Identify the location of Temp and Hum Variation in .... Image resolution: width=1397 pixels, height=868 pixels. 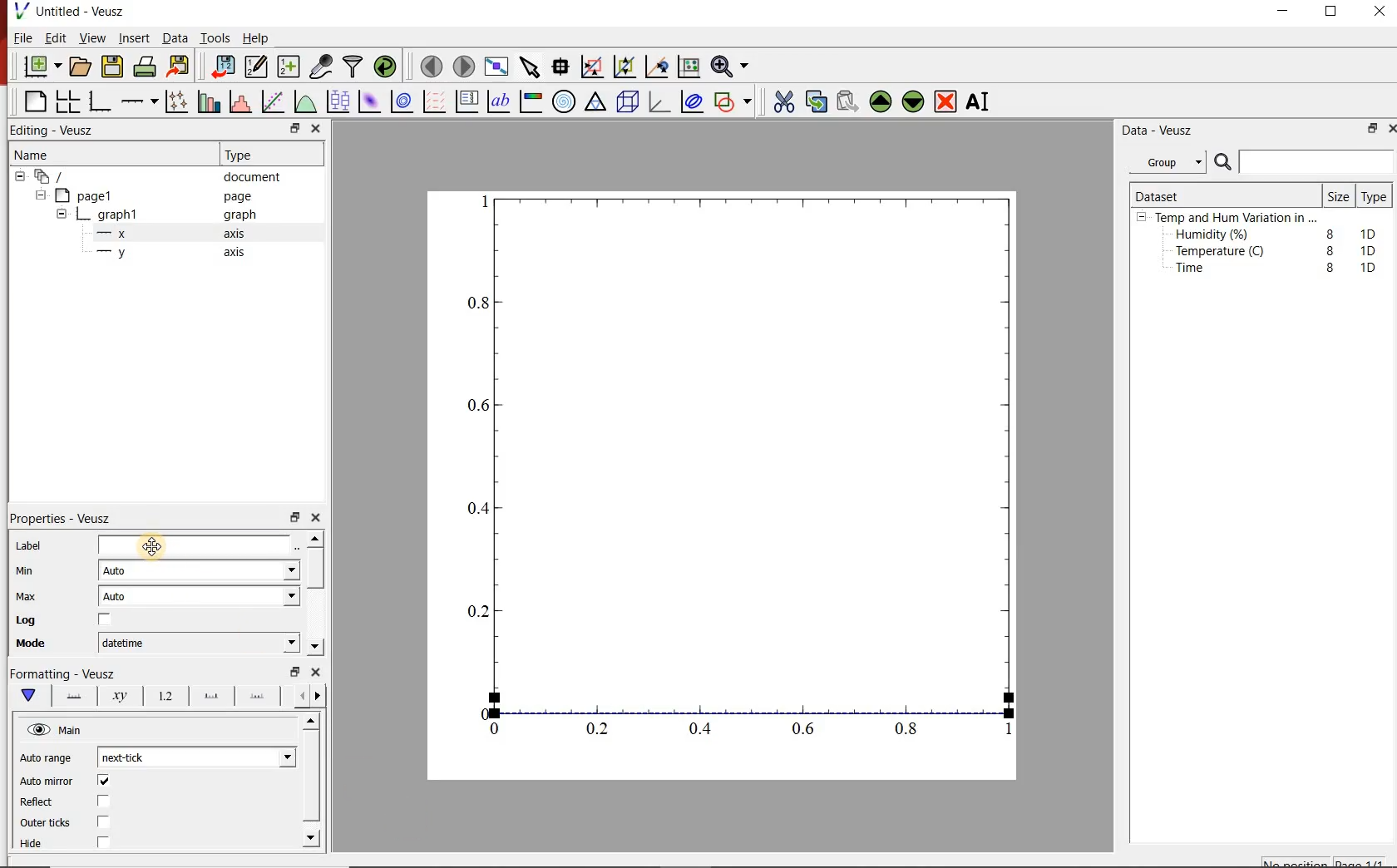
(1236, 218).